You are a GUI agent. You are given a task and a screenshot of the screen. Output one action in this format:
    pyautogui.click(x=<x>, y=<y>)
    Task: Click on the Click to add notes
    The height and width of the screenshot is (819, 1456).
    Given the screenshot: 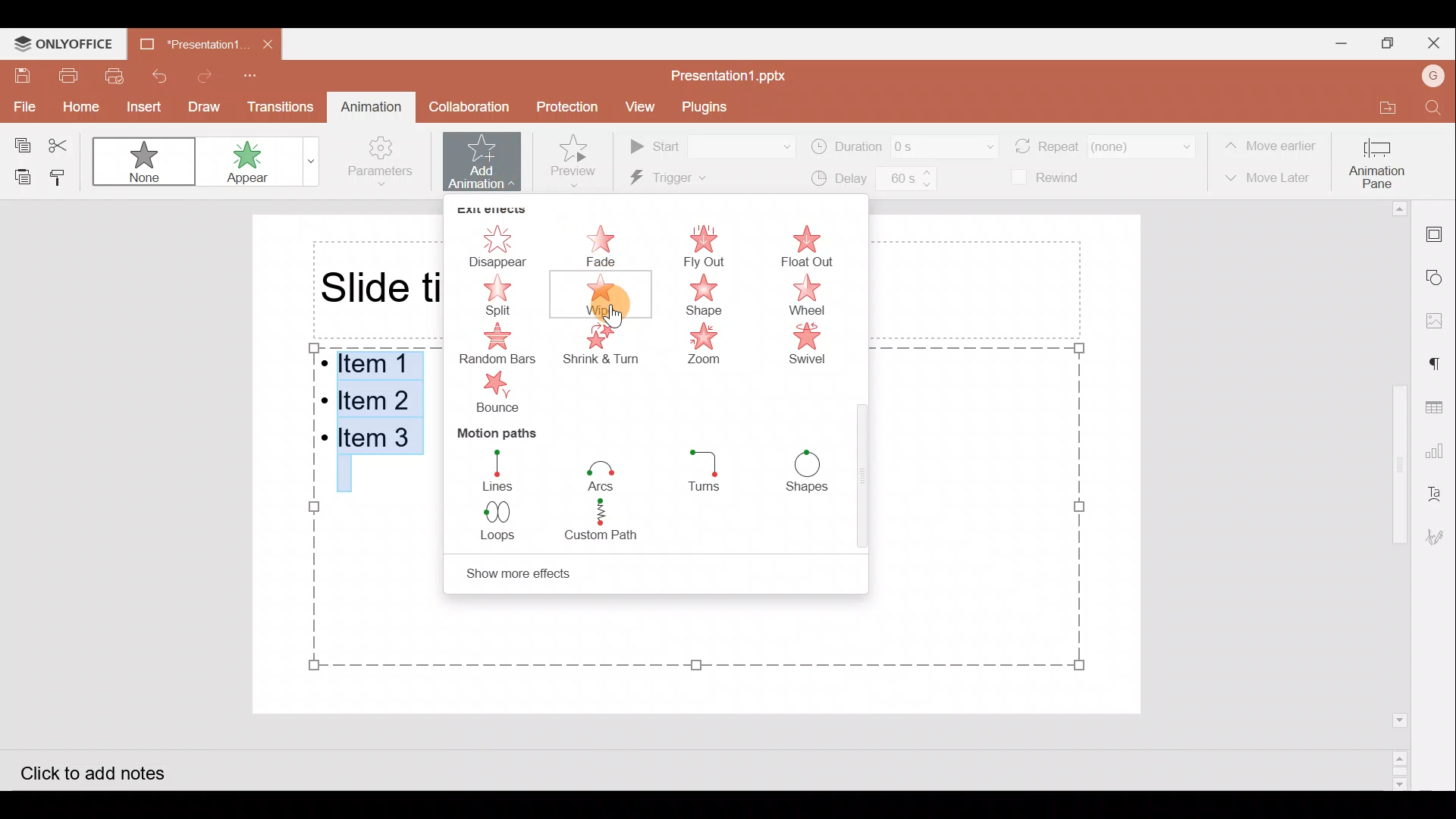 What is the action you would take?
    pyautogui.click(x=109, y=770)
    